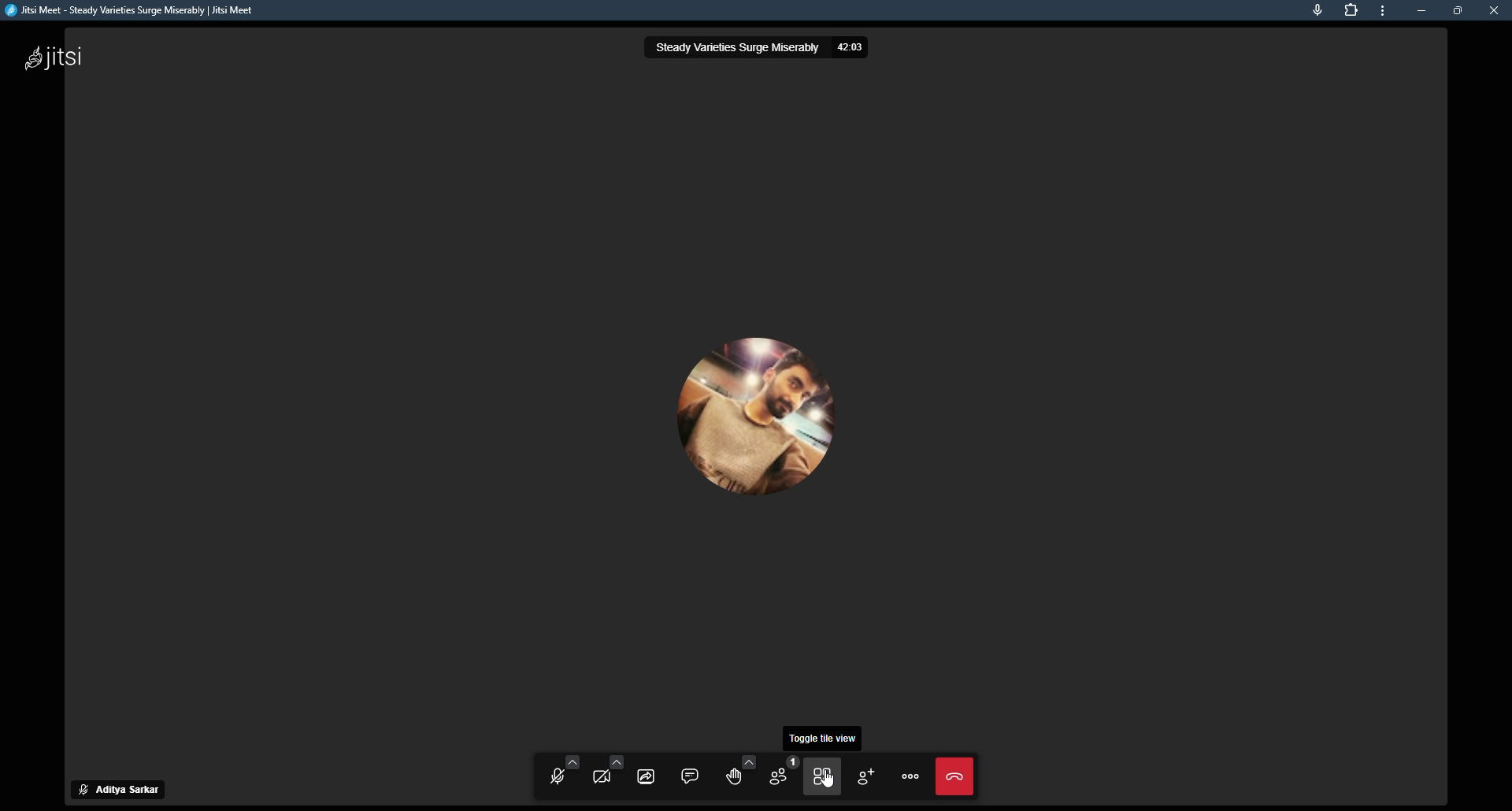  What do you see at coordinates (824, 776) in the screenshot?
I see `toggle tile view` at bounding box center [824, 776].